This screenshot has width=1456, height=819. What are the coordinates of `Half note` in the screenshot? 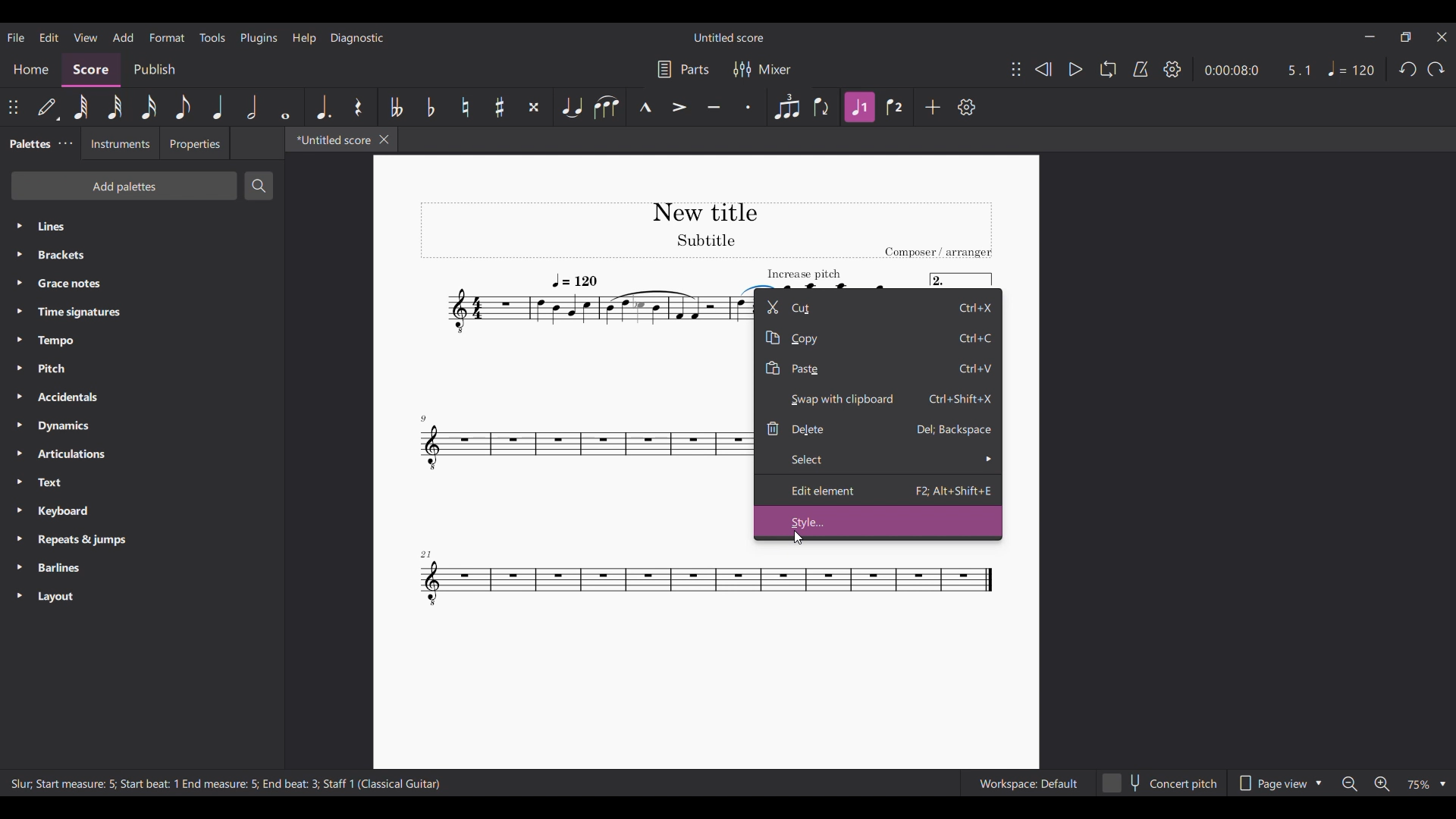 It's located at (250, 107).